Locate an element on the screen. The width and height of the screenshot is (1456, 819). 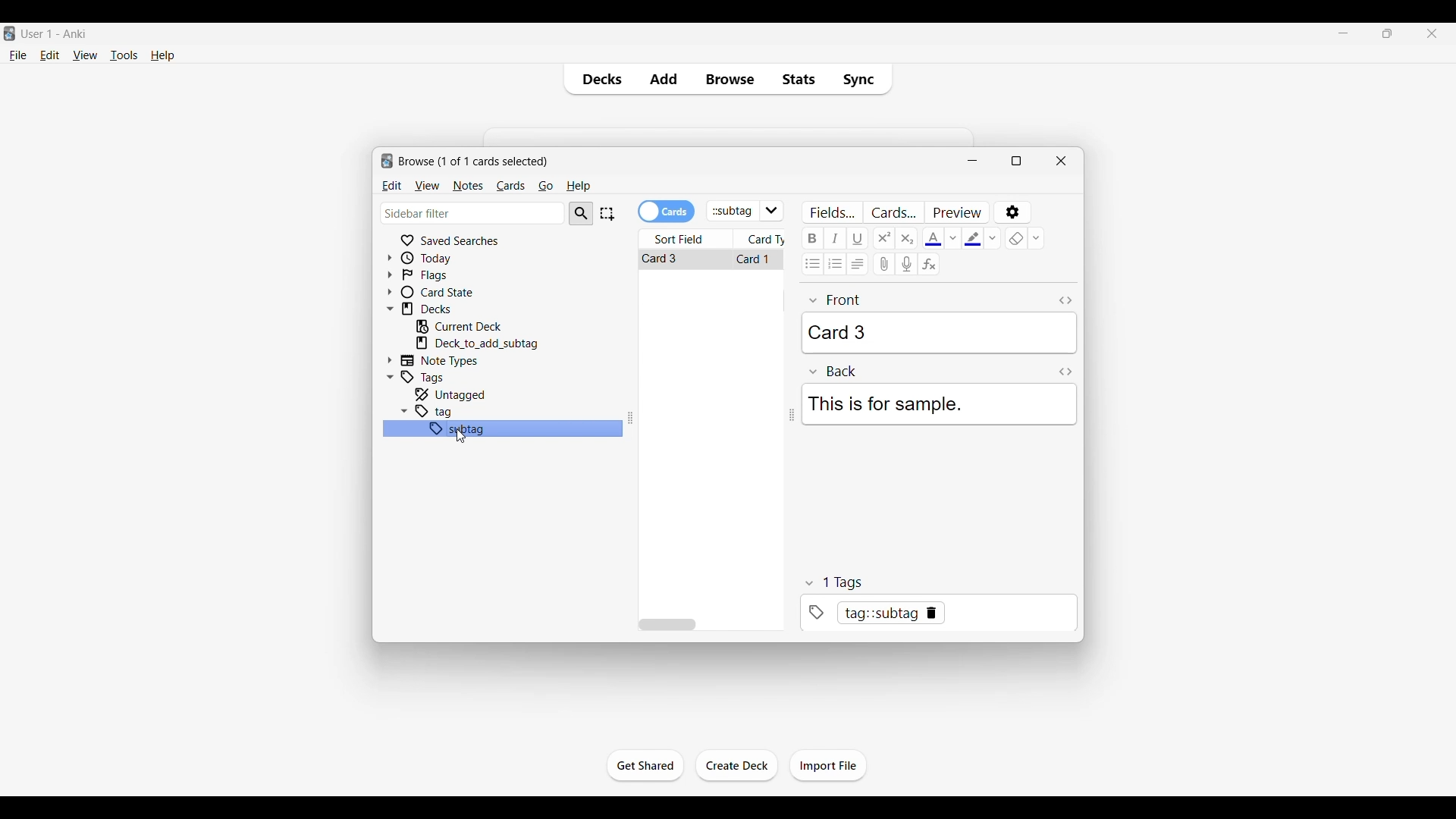
Click to go to current deck is located at coordinates (469, 326).